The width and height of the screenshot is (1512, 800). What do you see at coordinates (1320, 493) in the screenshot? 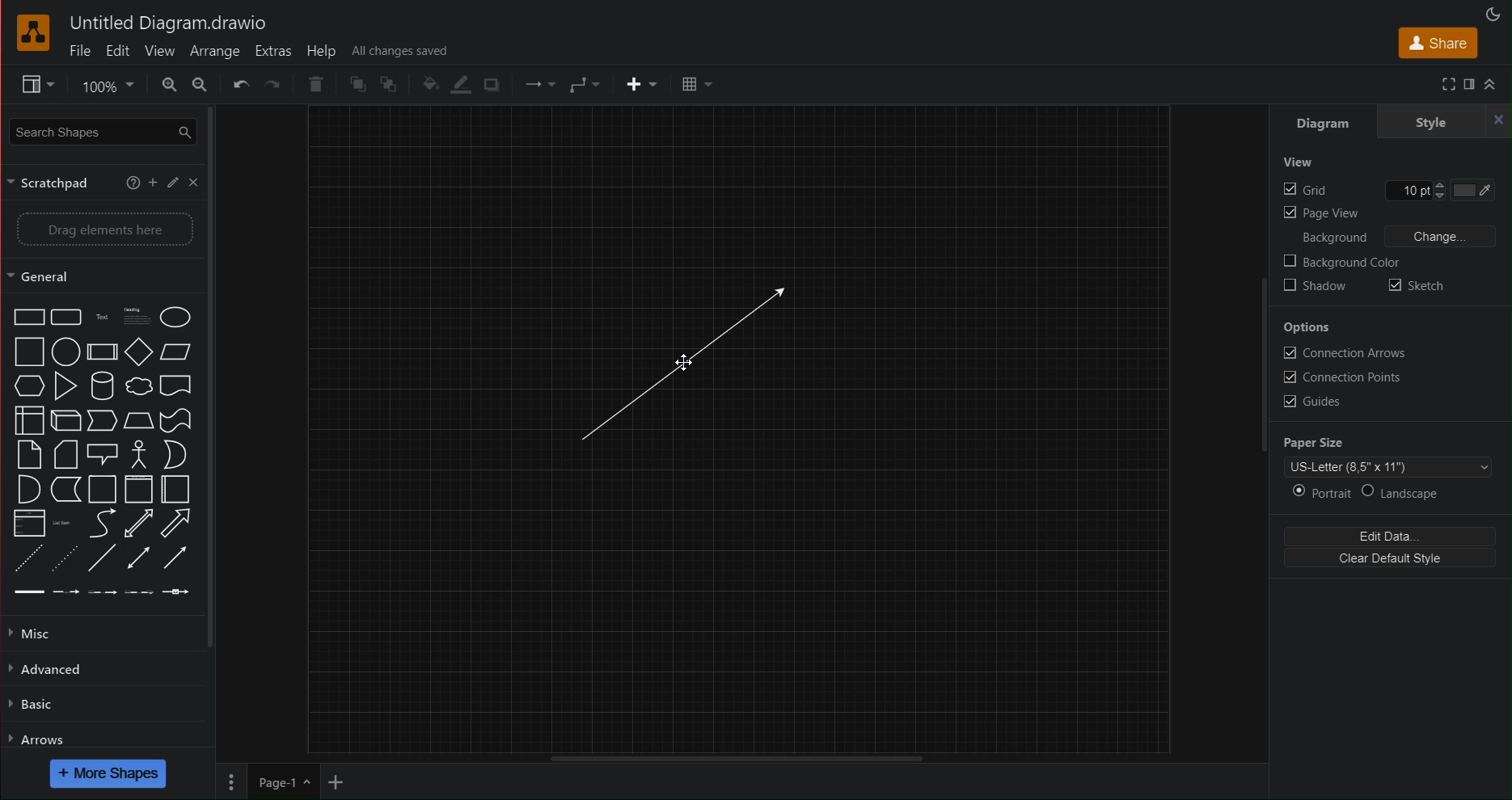
I see `Portrait` at bounding box center [1320, 493].